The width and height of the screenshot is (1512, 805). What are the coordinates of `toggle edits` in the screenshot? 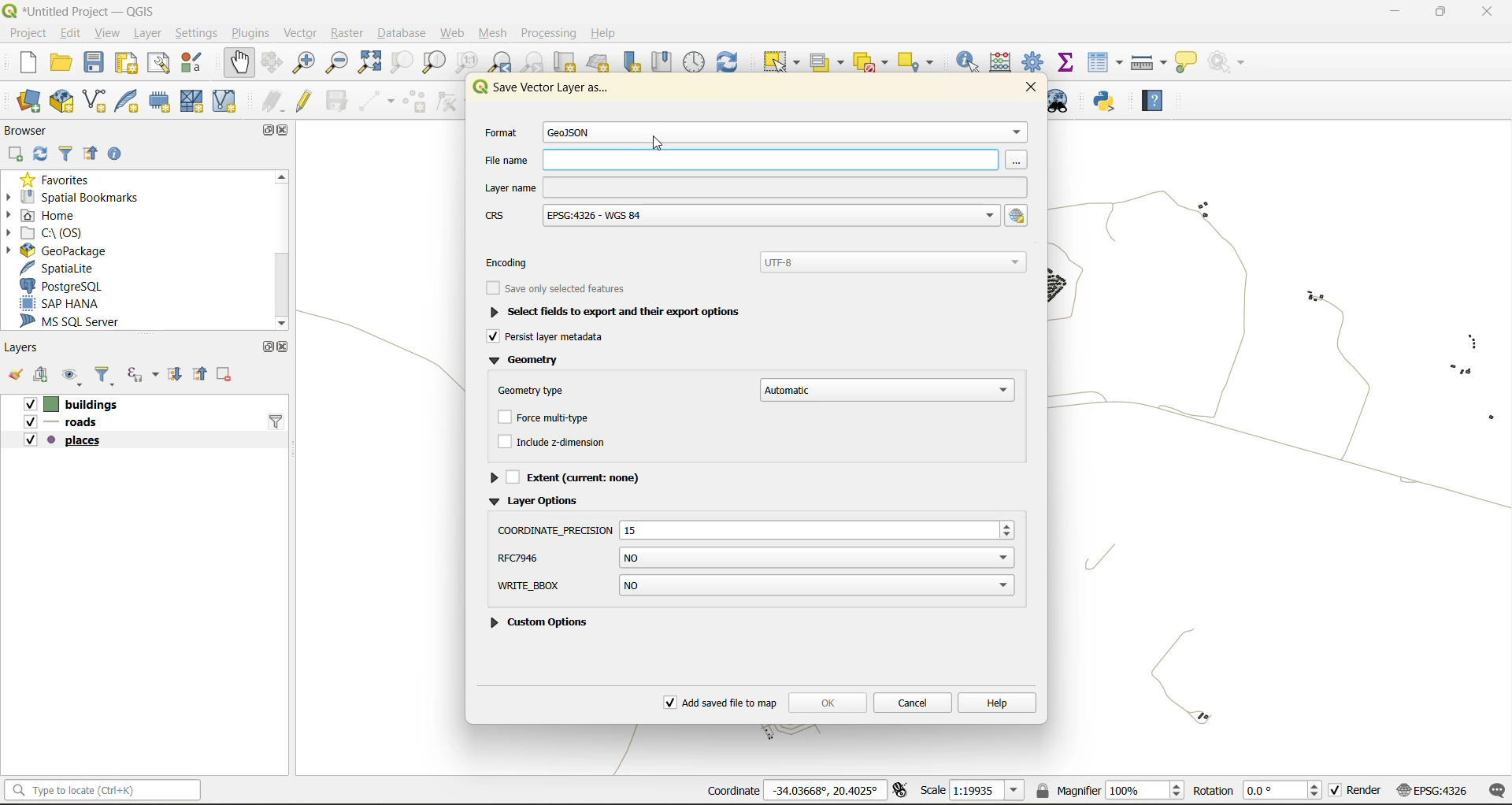 It's located at (309, 99).